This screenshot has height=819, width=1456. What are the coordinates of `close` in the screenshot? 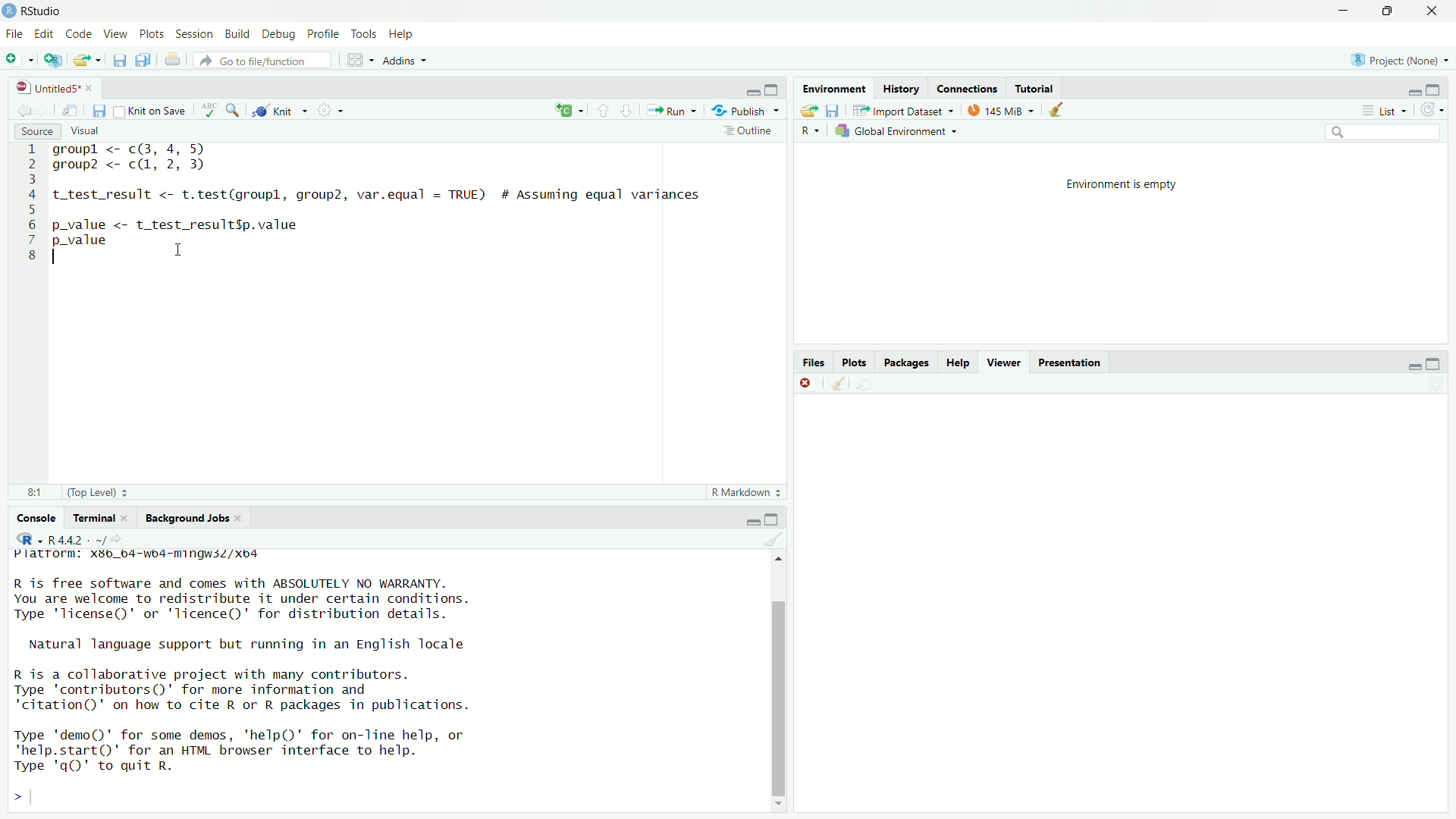 It's located at (807, 383).